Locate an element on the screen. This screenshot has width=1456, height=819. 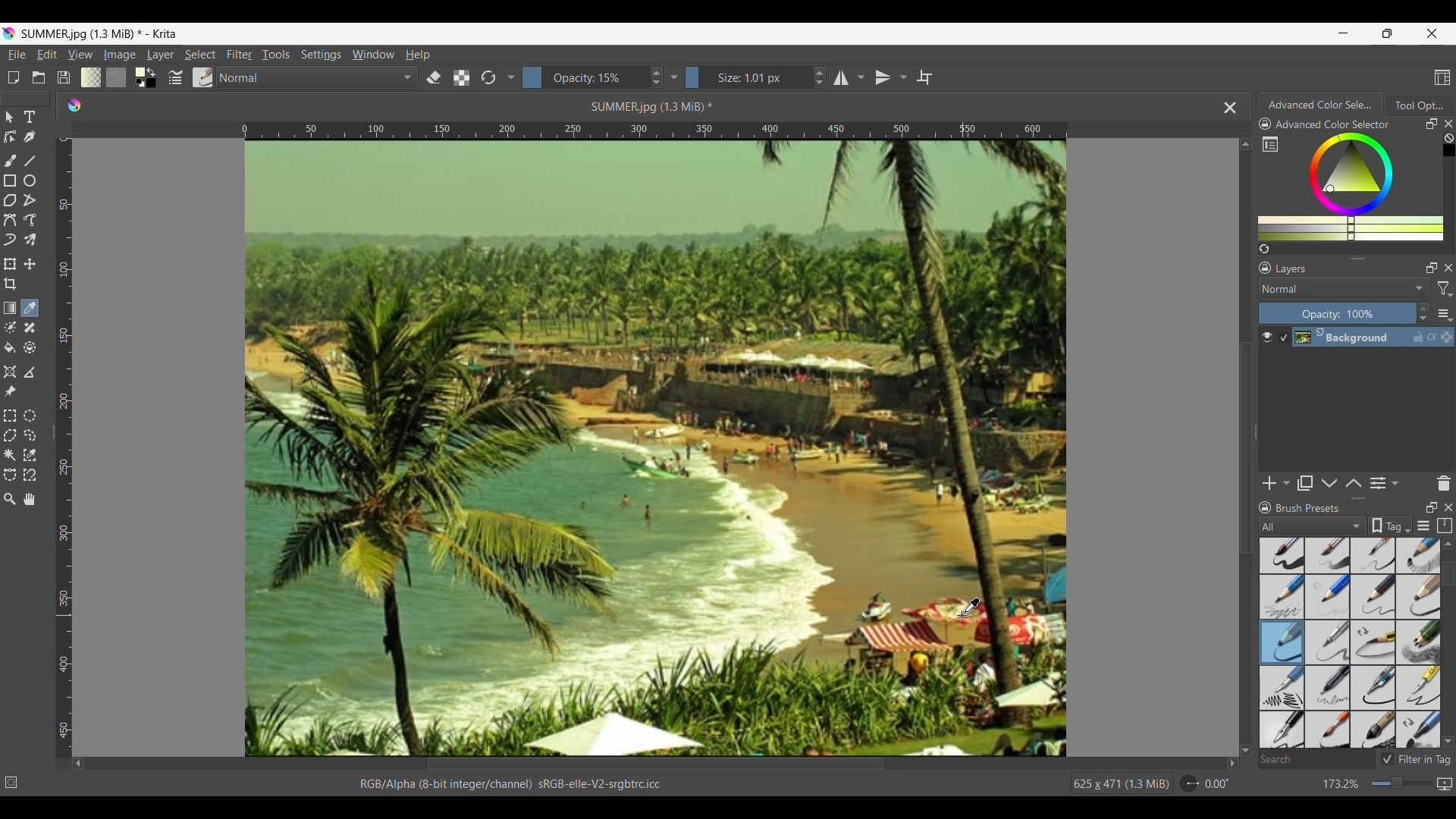
Similar color selection tool is located at coordinates (29, 455).